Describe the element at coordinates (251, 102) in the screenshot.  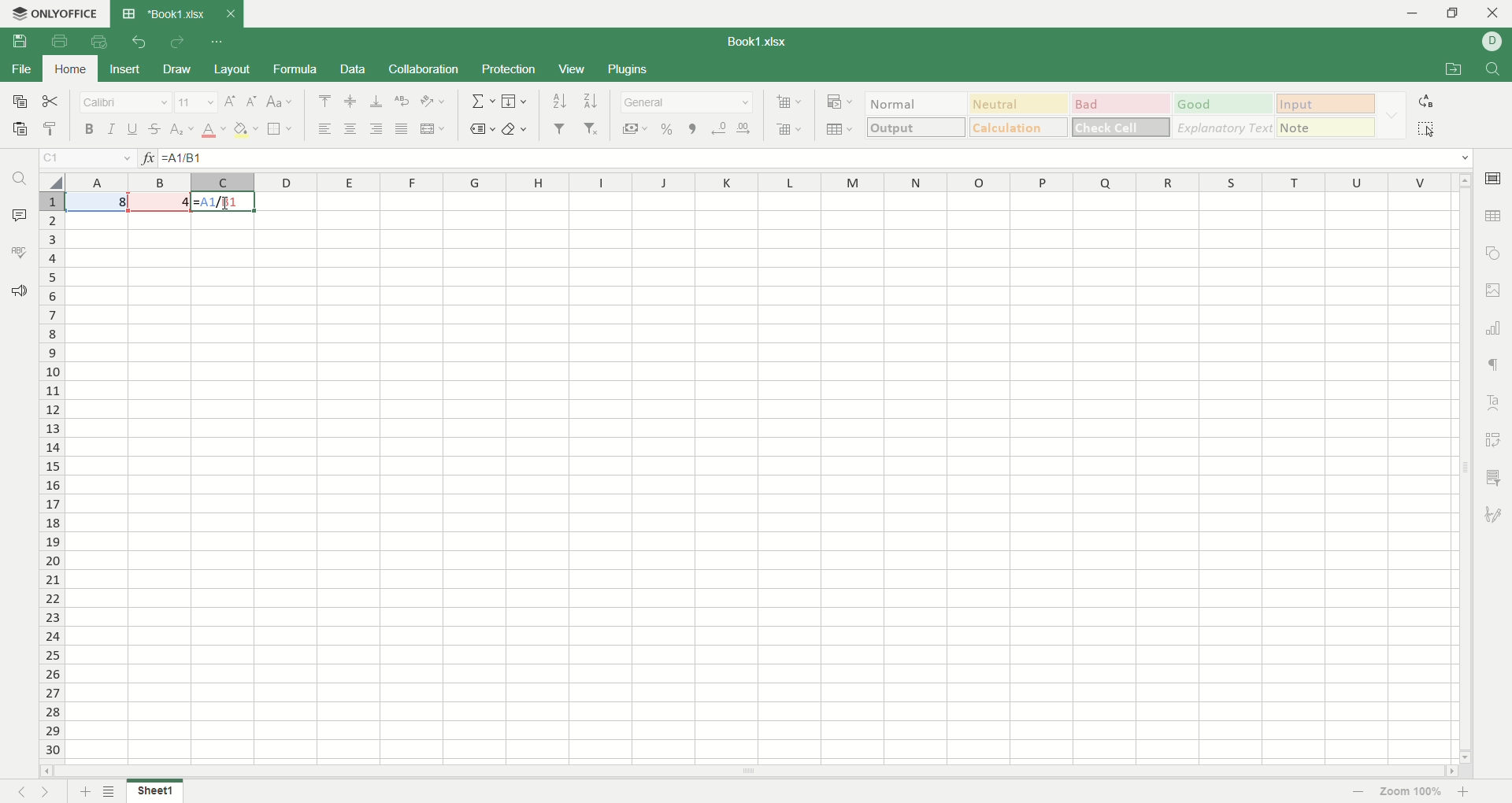
I see `decrease font size` at that location.